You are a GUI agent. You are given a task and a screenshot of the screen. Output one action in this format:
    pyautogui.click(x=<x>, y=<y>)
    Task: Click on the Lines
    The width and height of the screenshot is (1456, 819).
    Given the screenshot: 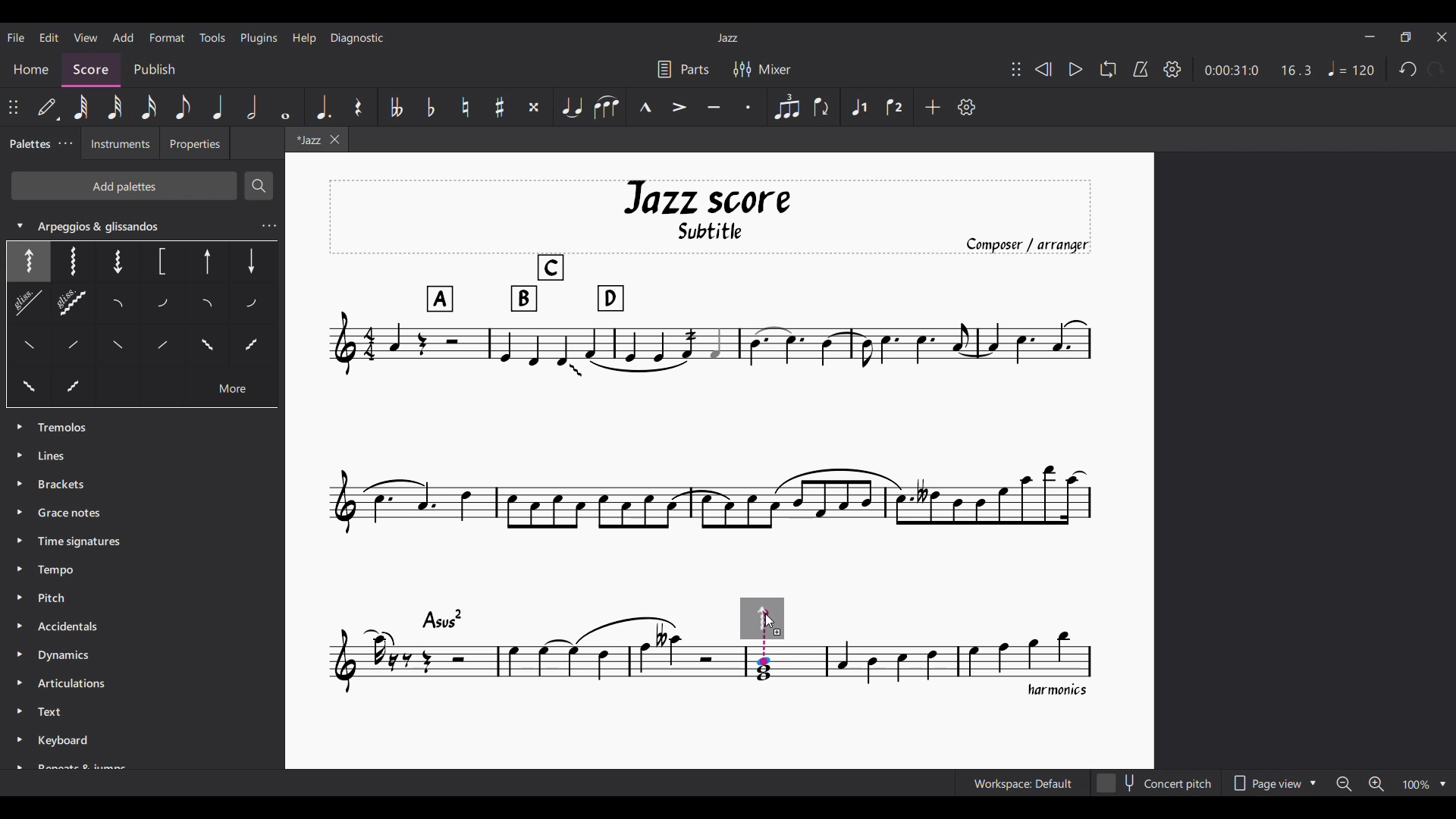 What is the action you would take?
    pyautogui.click(x=58, y=454)
    